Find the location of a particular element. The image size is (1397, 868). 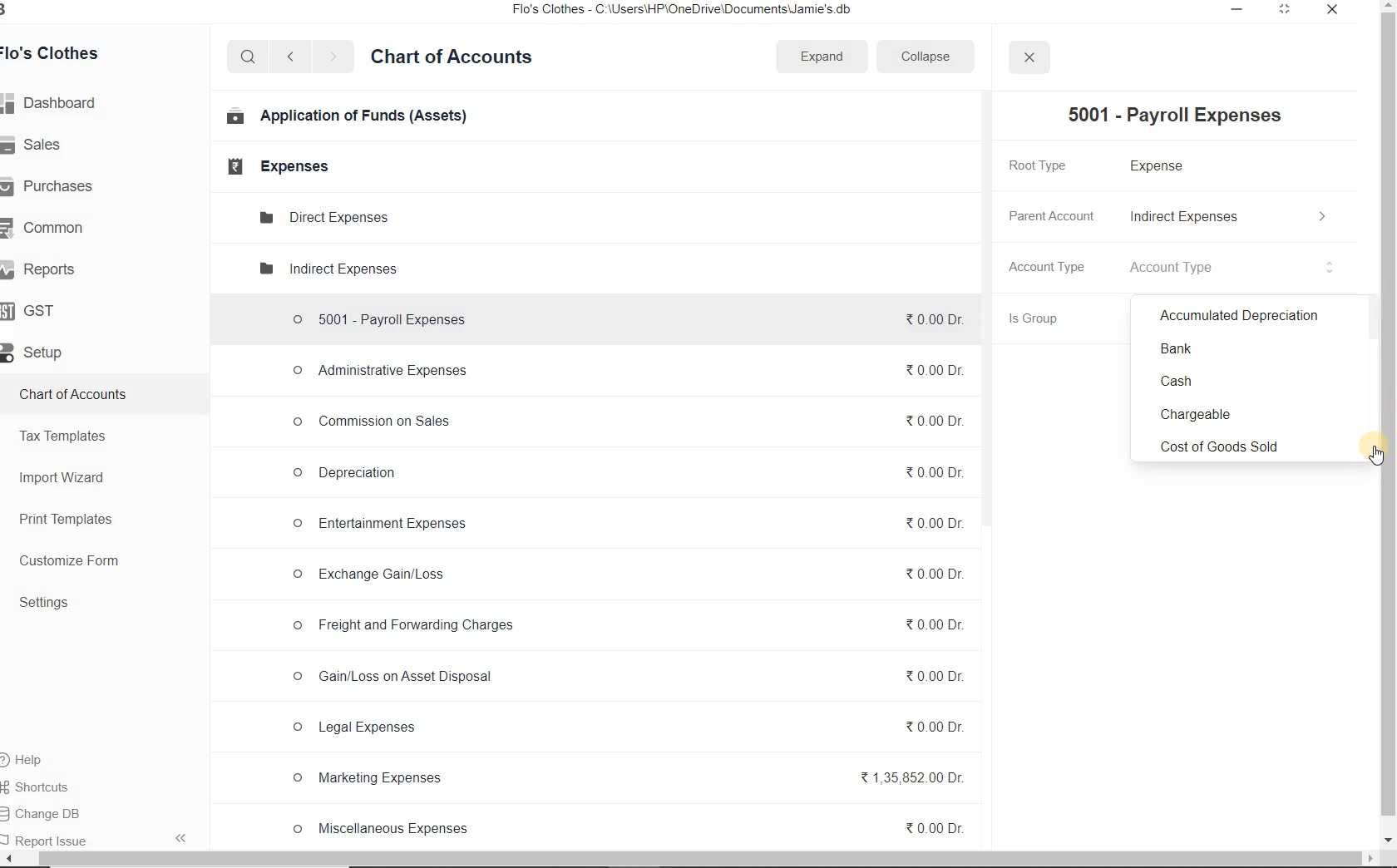

Root Type is located at coordinates (1050, 165).